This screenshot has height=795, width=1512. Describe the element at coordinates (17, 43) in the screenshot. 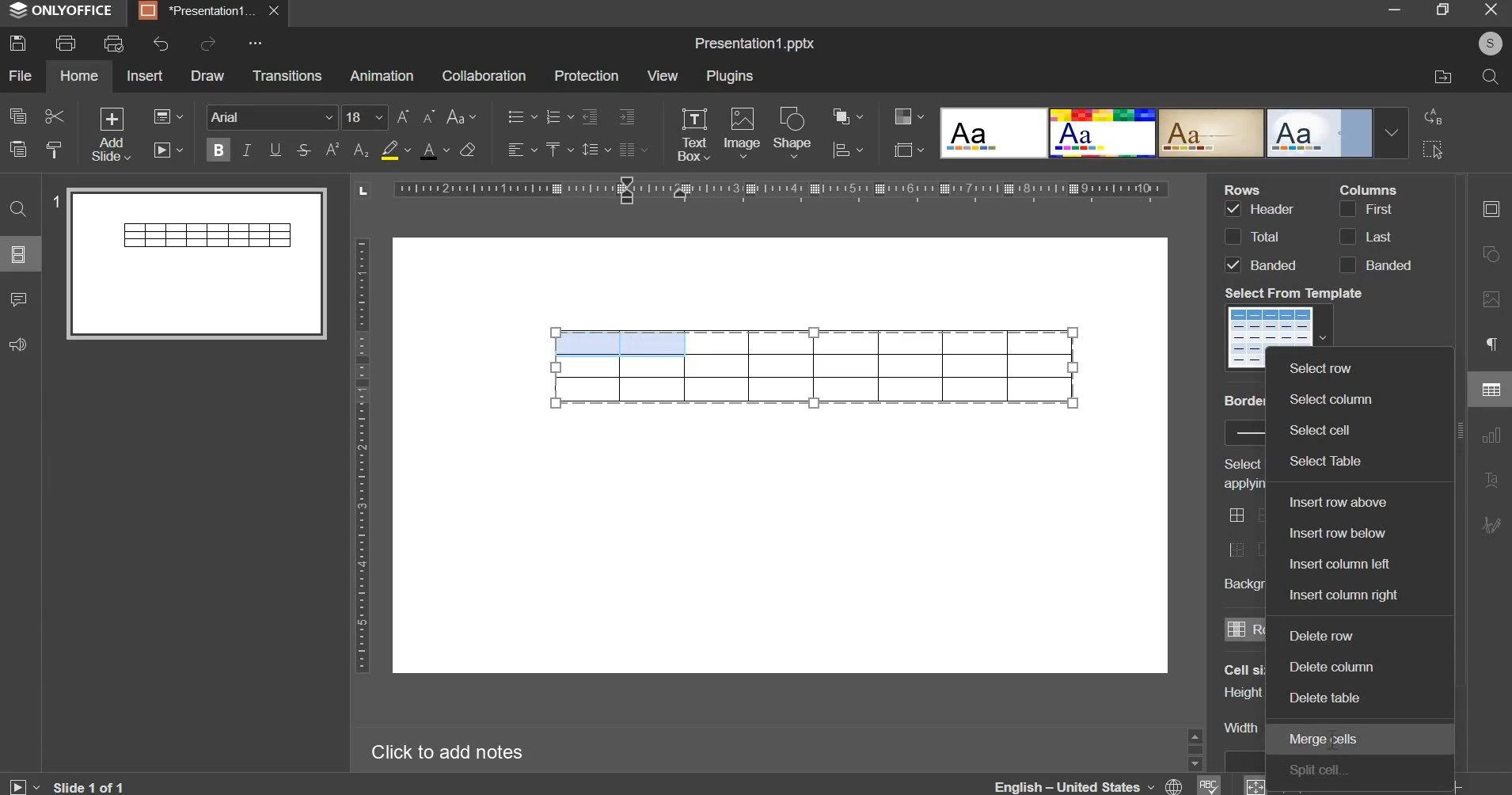

I see `save` at that location.